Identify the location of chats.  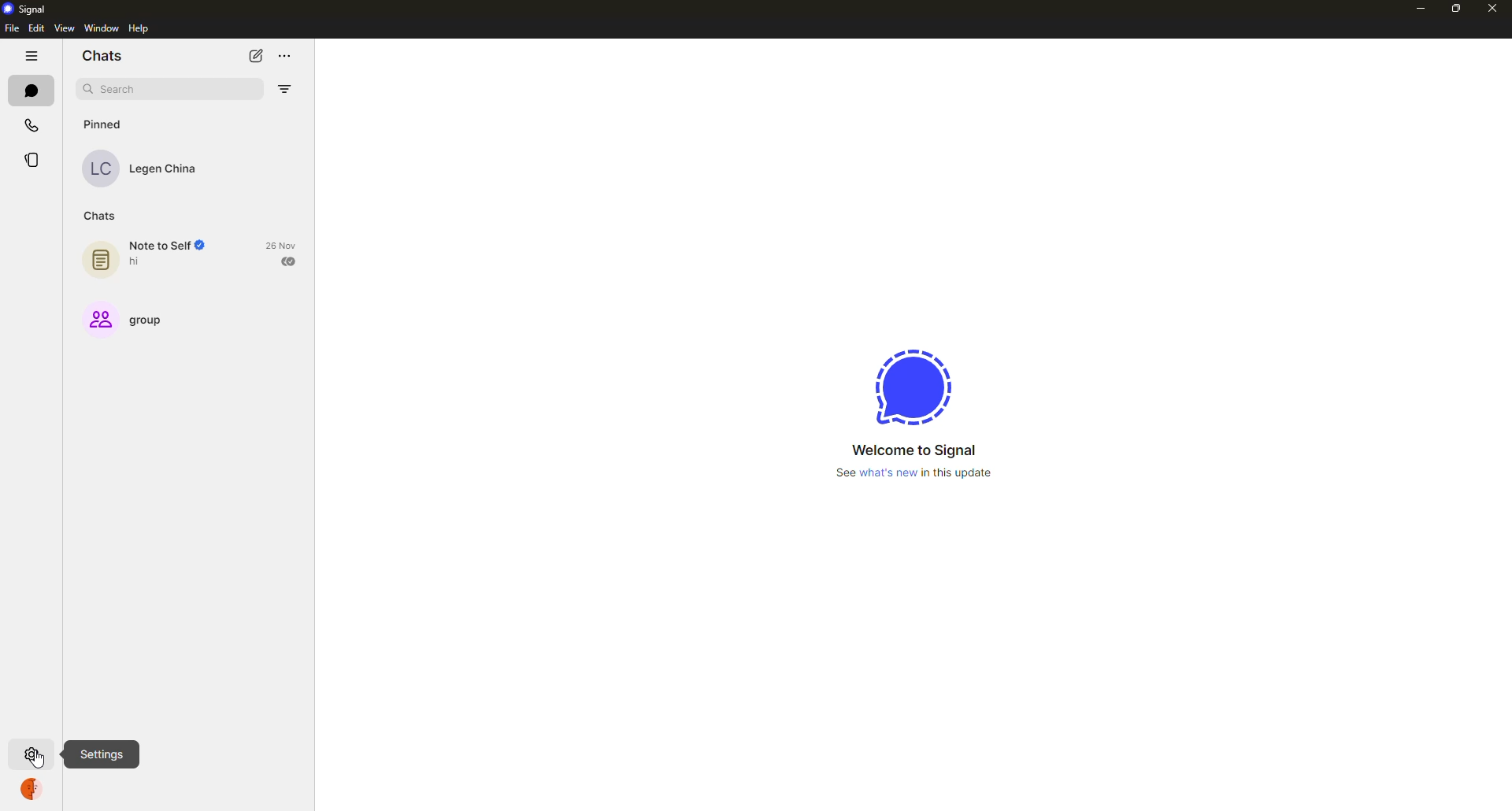
(100, 217).